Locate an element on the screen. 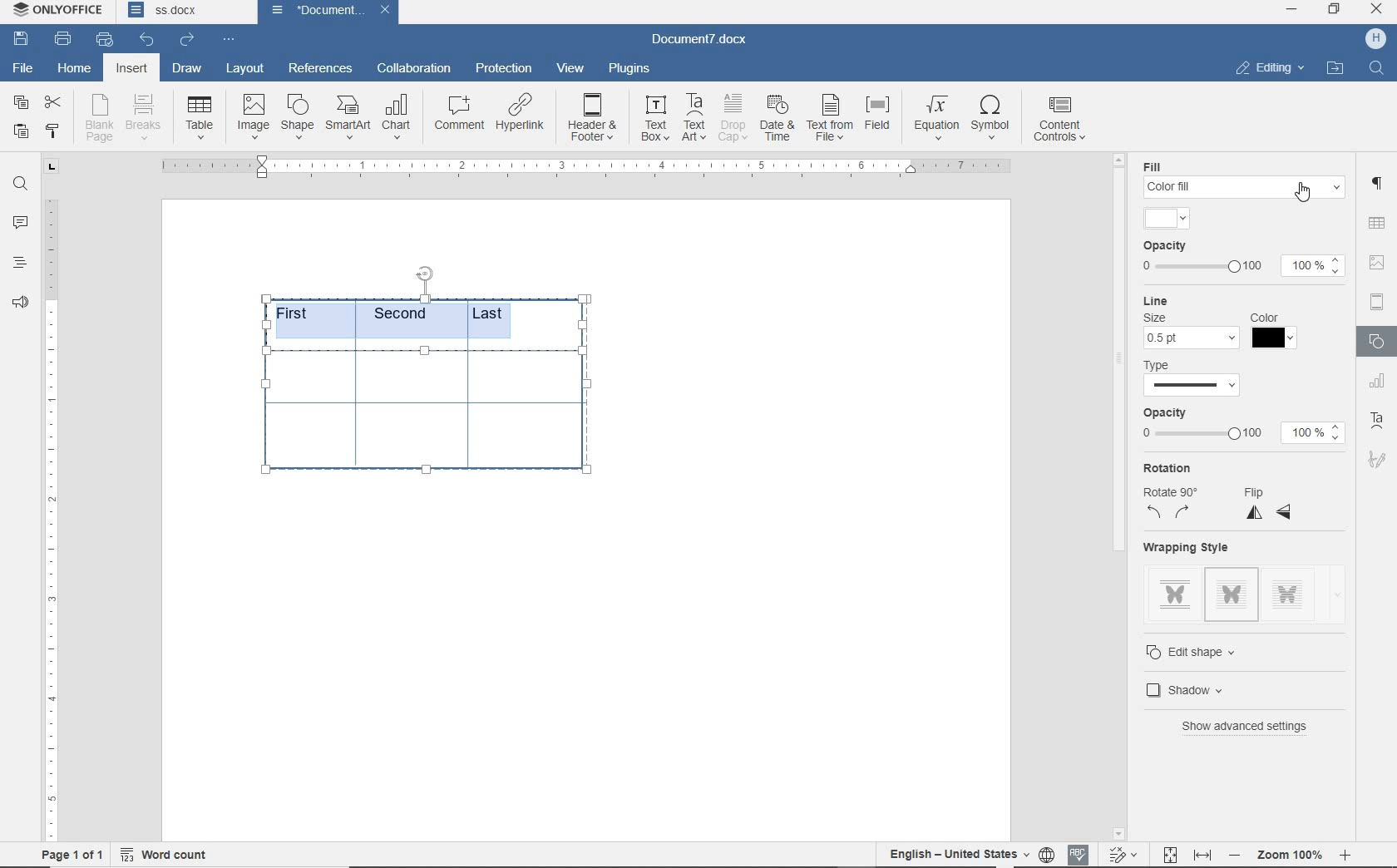 This screenshot has width=1397, height=868. show advanced settings is located at coordinates (1258, 727).